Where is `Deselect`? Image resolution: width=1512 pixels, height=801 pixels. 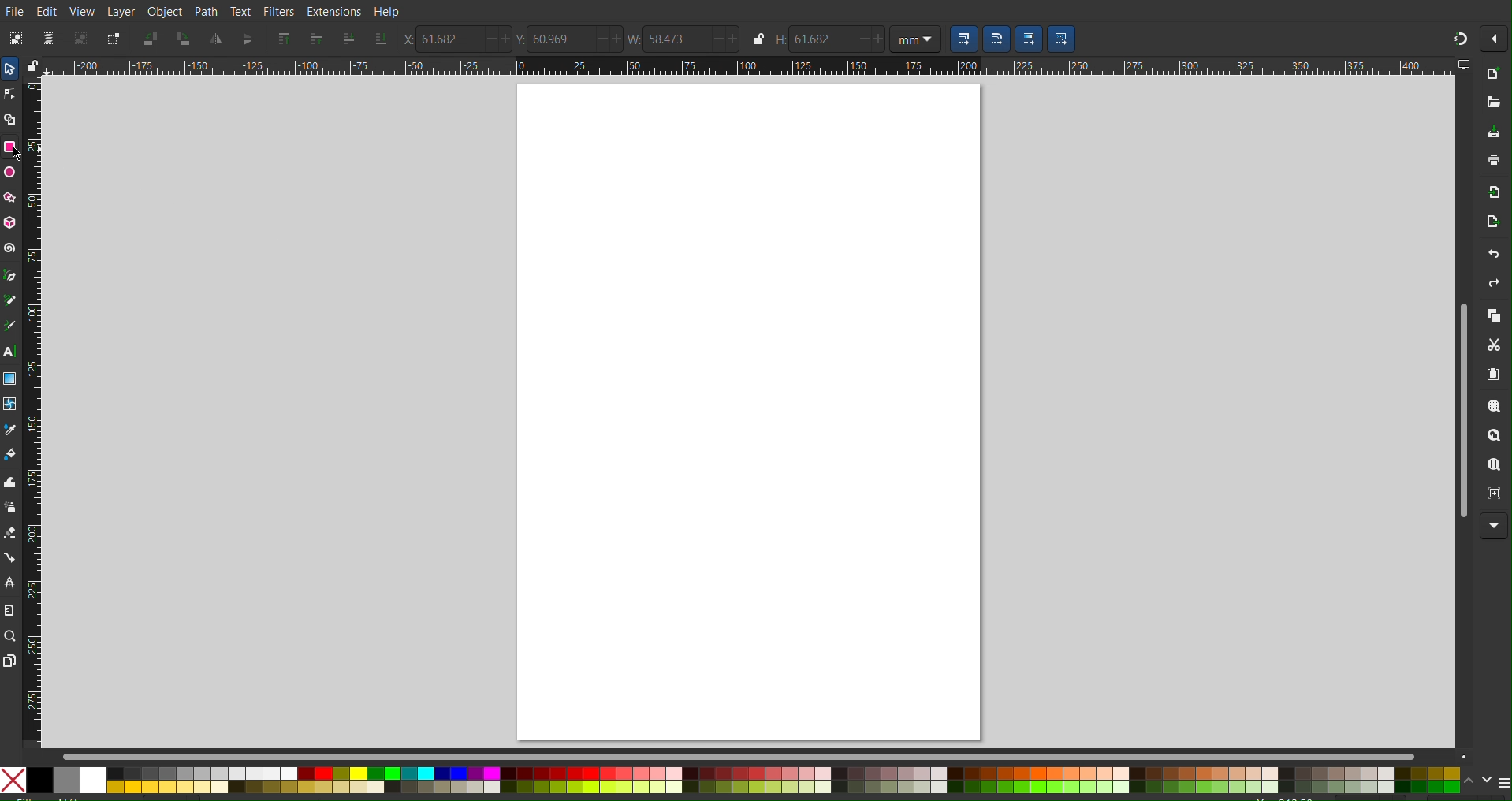
Deselect is located at coordinates (81, 40).